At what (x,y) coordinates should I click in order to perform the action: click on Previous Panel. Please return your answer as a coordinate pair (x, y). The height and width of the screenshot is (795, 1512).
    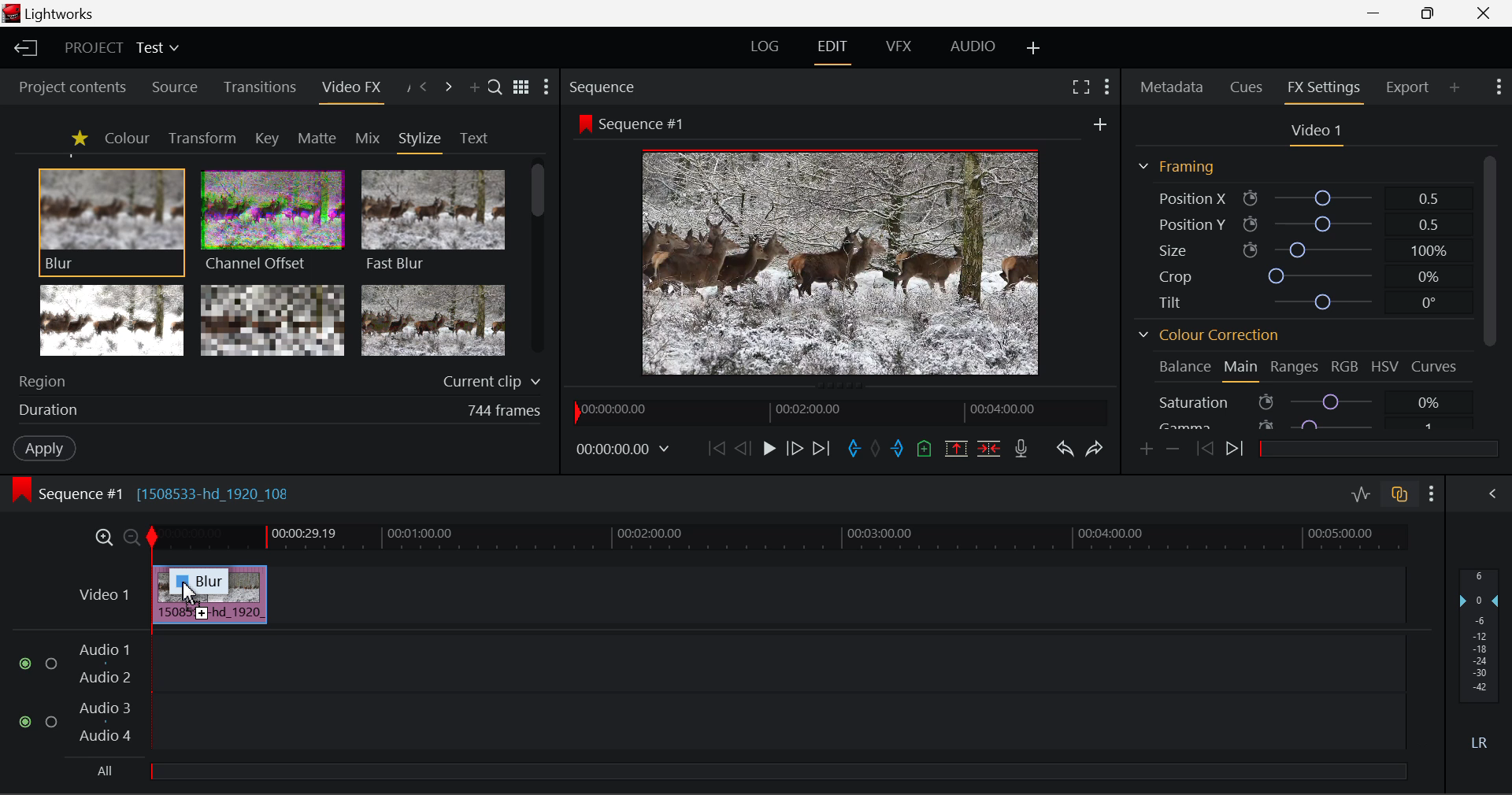
    Looking at the image, I should click on (424, 87).